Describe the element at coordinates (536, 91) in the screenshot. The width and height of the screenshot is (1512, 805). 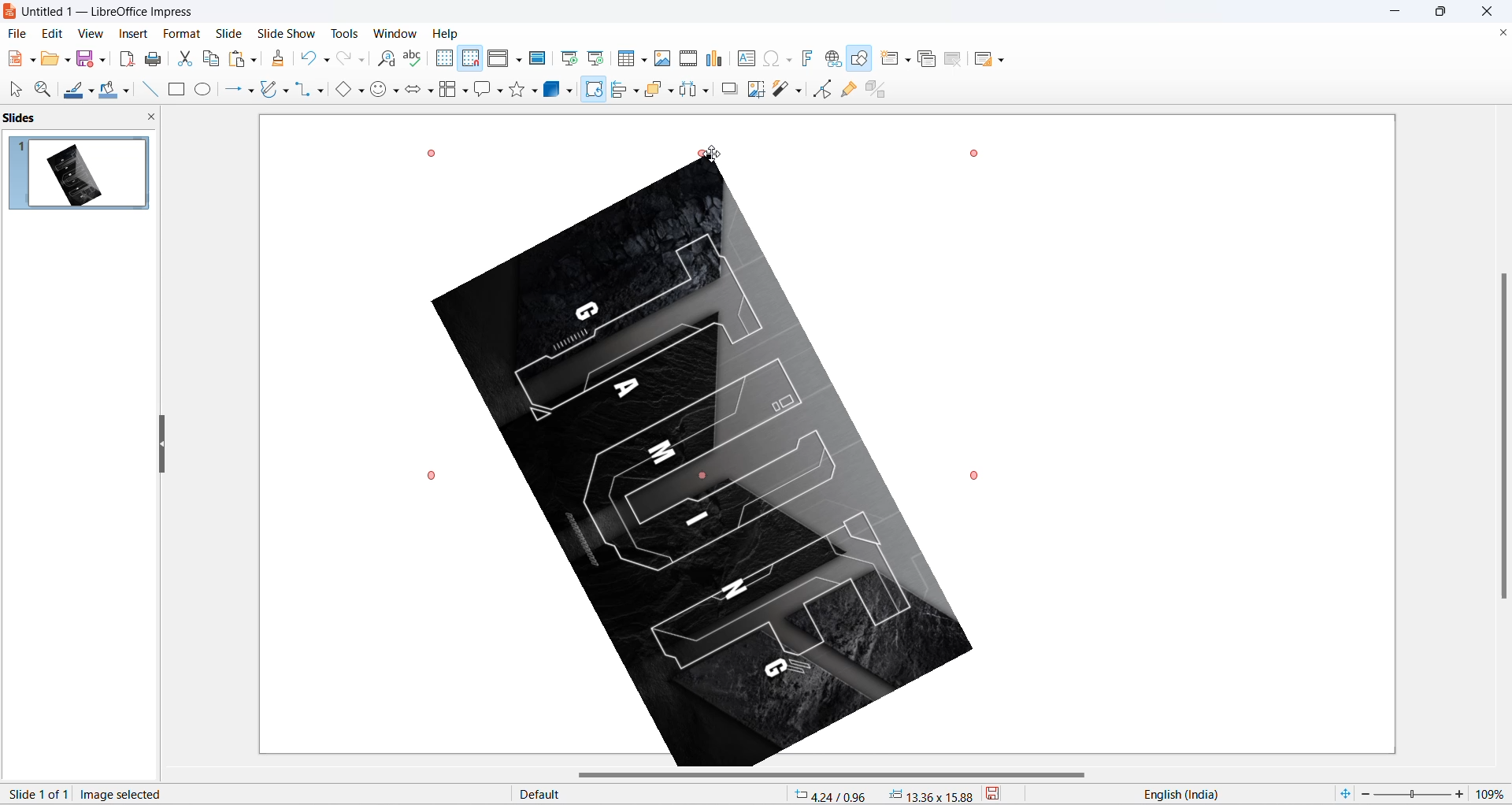
I see `star options` at that location.